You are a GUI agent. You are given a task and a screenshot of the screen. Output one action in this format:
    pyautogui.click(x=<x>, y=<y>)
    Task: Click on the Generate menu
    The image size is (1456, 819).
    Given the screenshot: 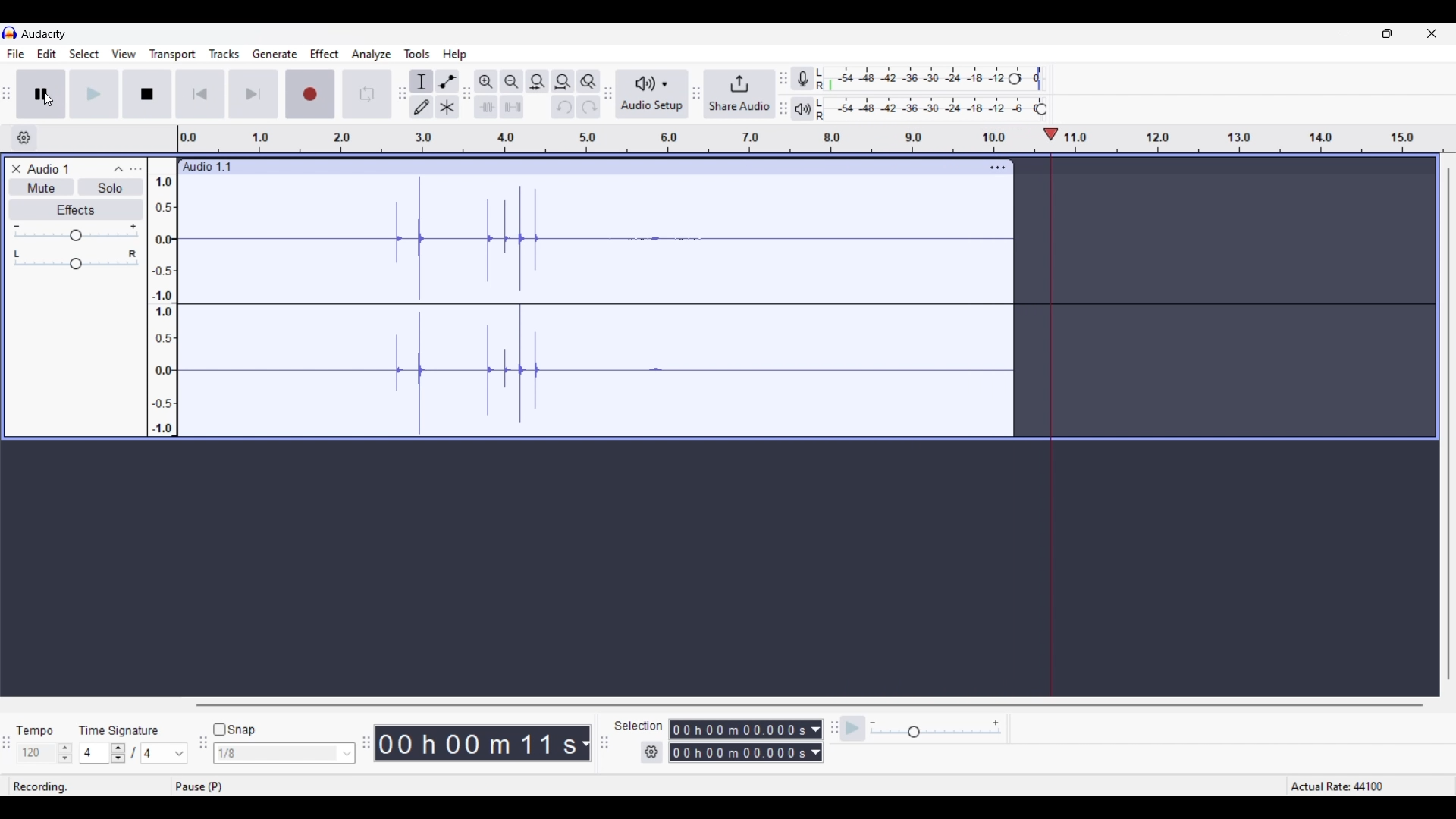 What is the action you would take?
    pyautogui.click(x=275, y=54)
    